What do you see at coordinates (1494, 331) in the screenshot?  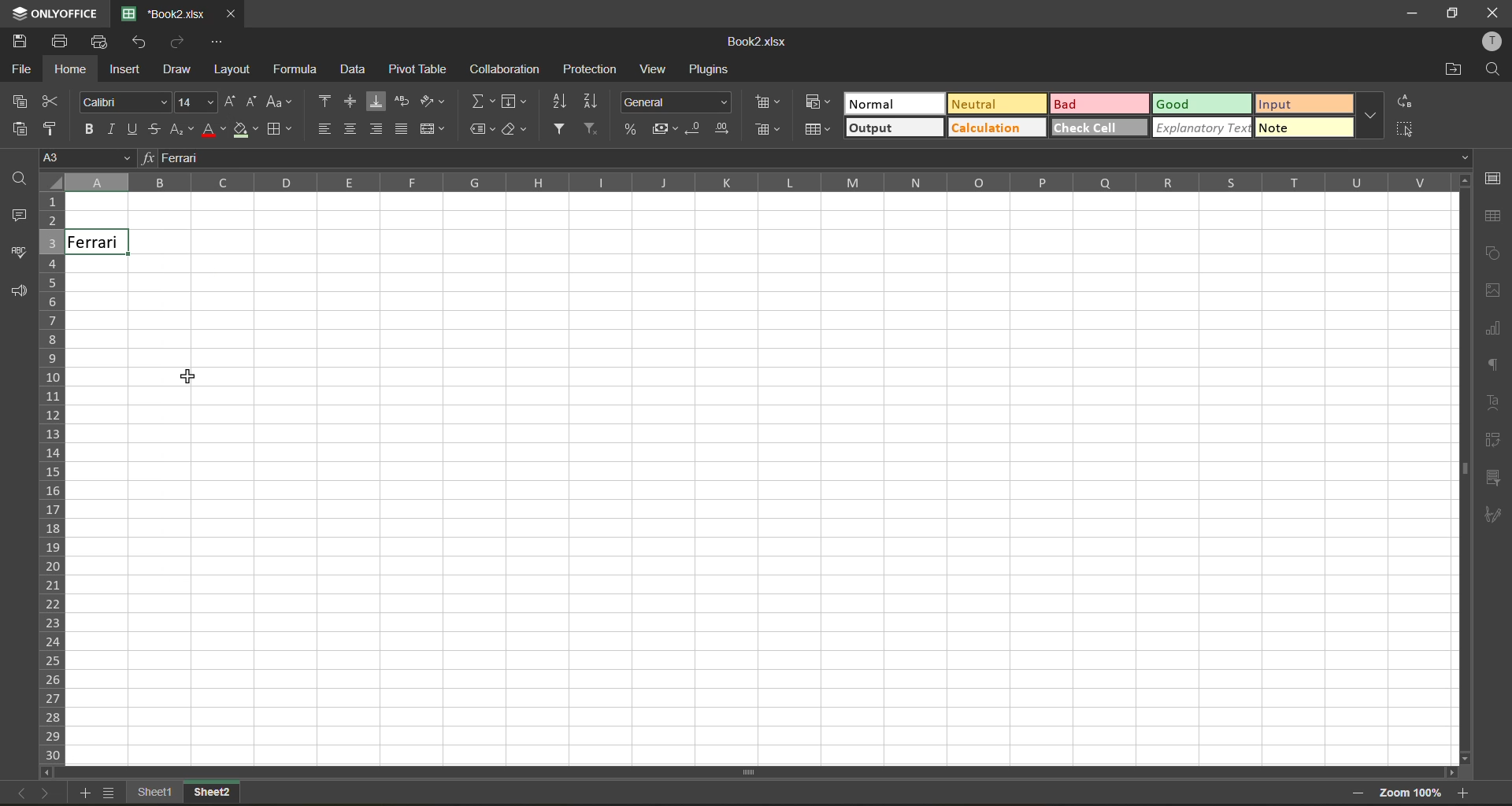 I see `charts` at bounding box center [1494, 331].